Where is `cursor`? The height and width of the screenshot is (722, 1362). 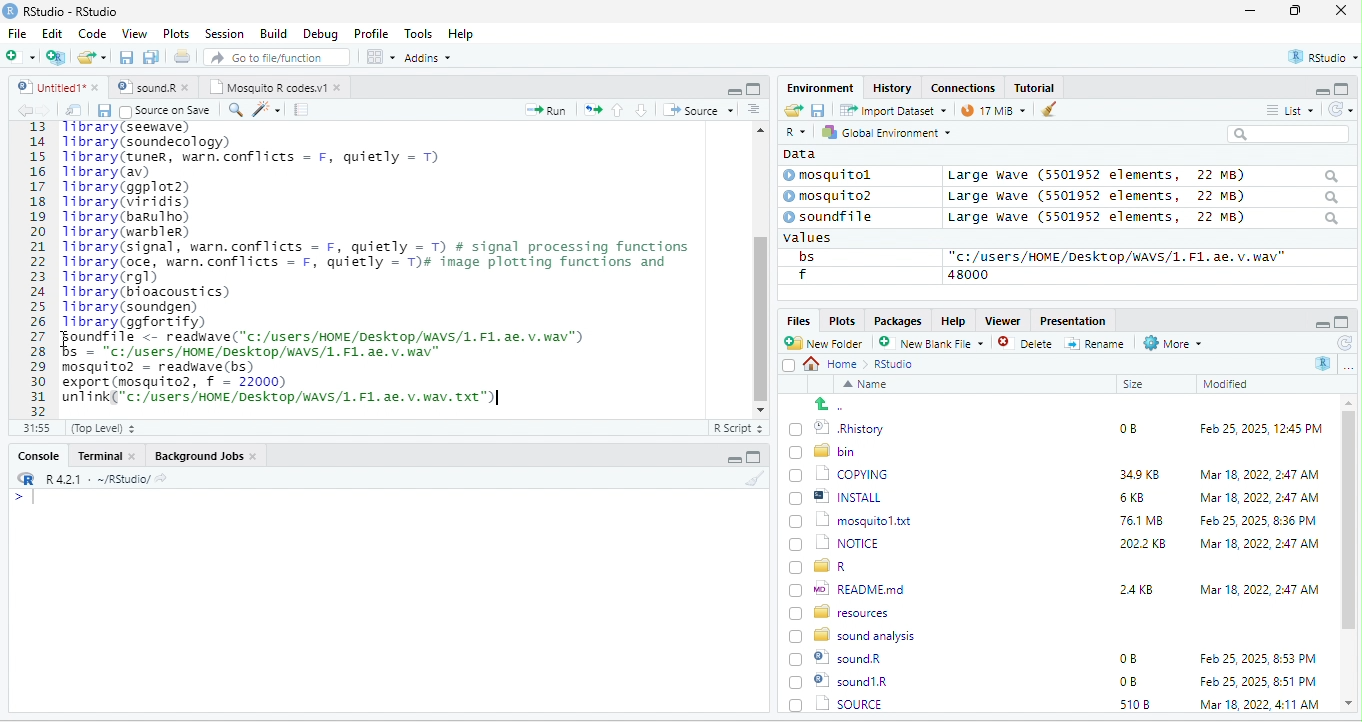
cursor is located at coordinates (494, 400).